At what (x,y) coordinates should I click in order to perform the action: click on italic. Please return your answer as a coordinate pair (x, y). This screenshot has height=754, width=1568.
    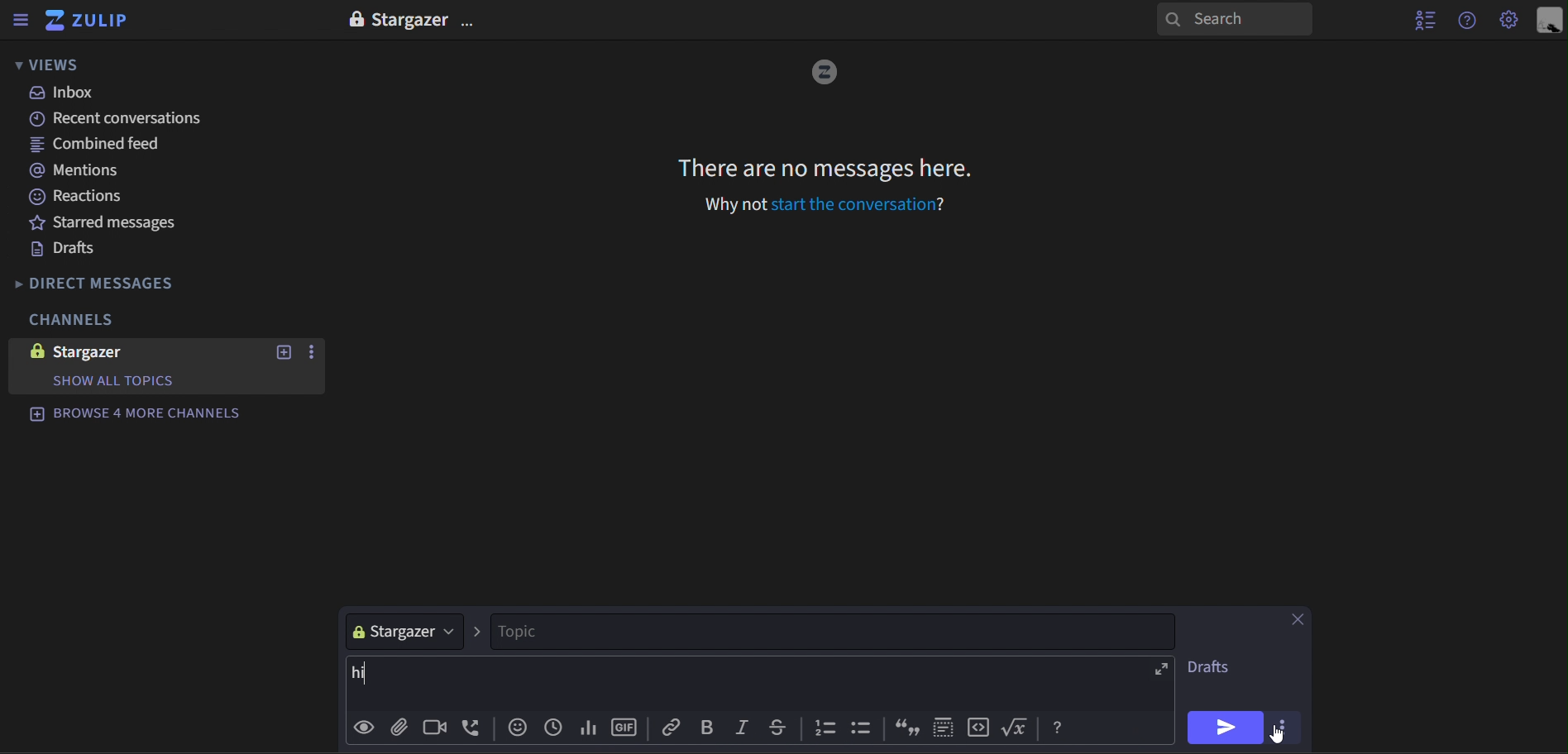
    Looking at the image, I should click on (746, 730).